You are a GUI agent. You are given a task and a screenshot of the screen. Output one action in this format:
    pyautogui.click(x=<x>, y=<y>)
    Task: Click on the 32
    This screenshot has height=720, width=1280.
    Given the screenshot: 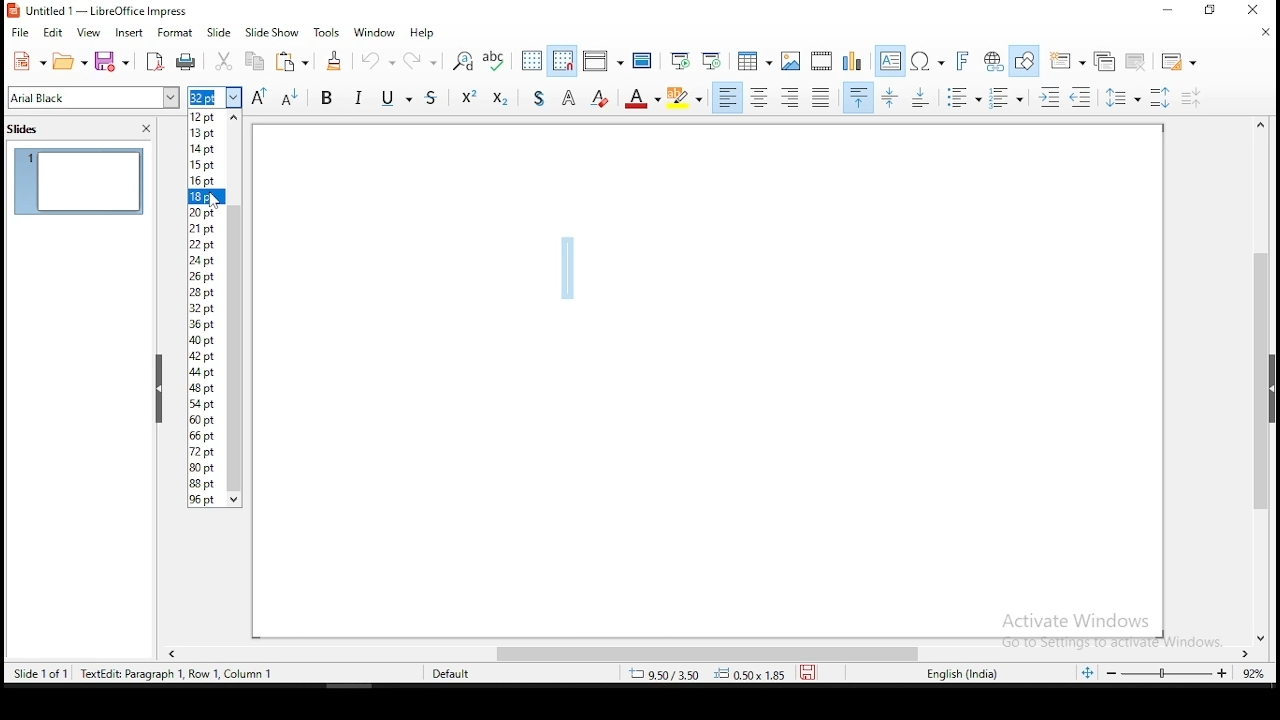 What is the action you would take?
    pyautogui.click(x=205, y=307)
    